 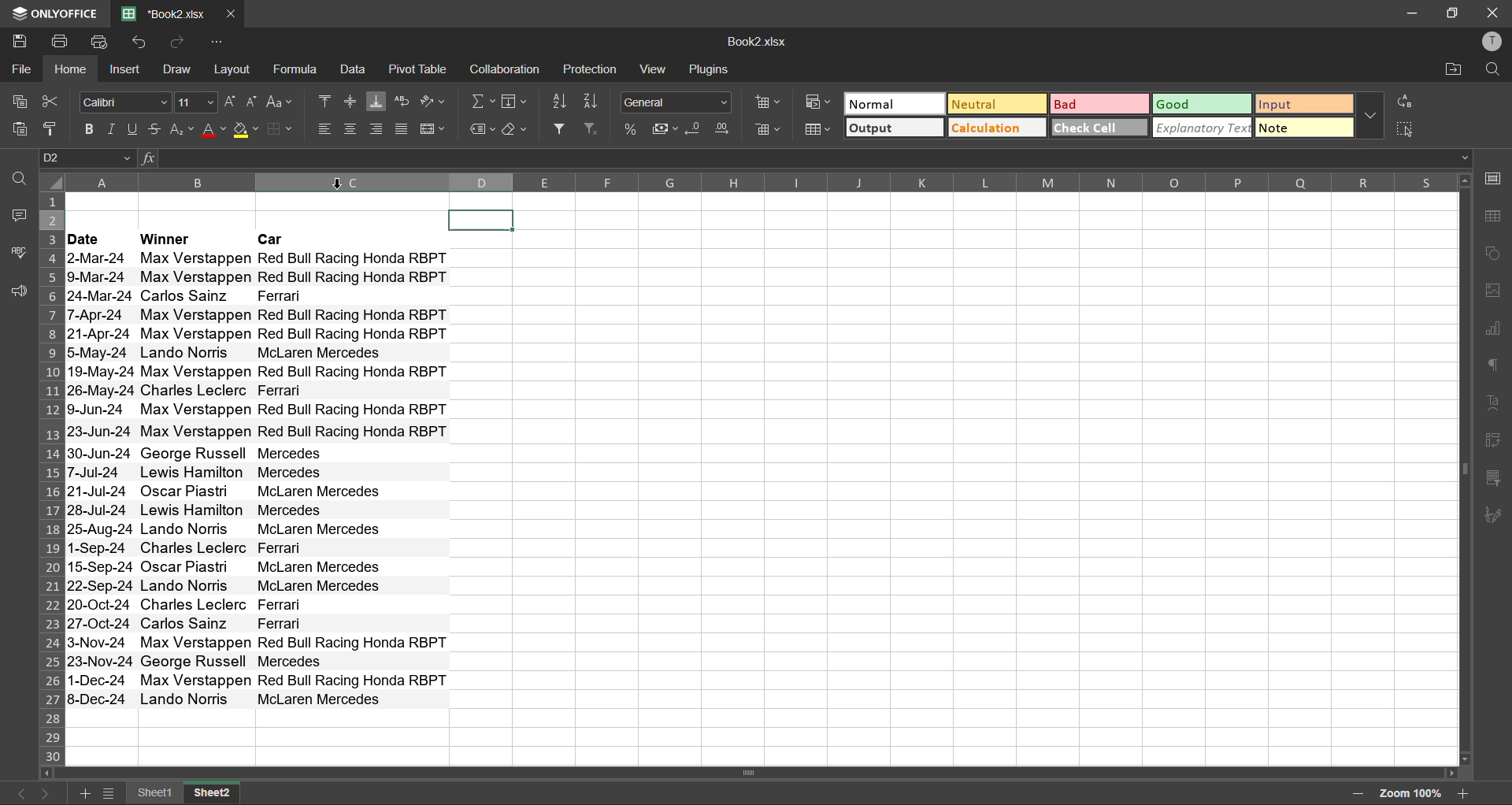 I want to click on filter, so click(x=561, y=131).